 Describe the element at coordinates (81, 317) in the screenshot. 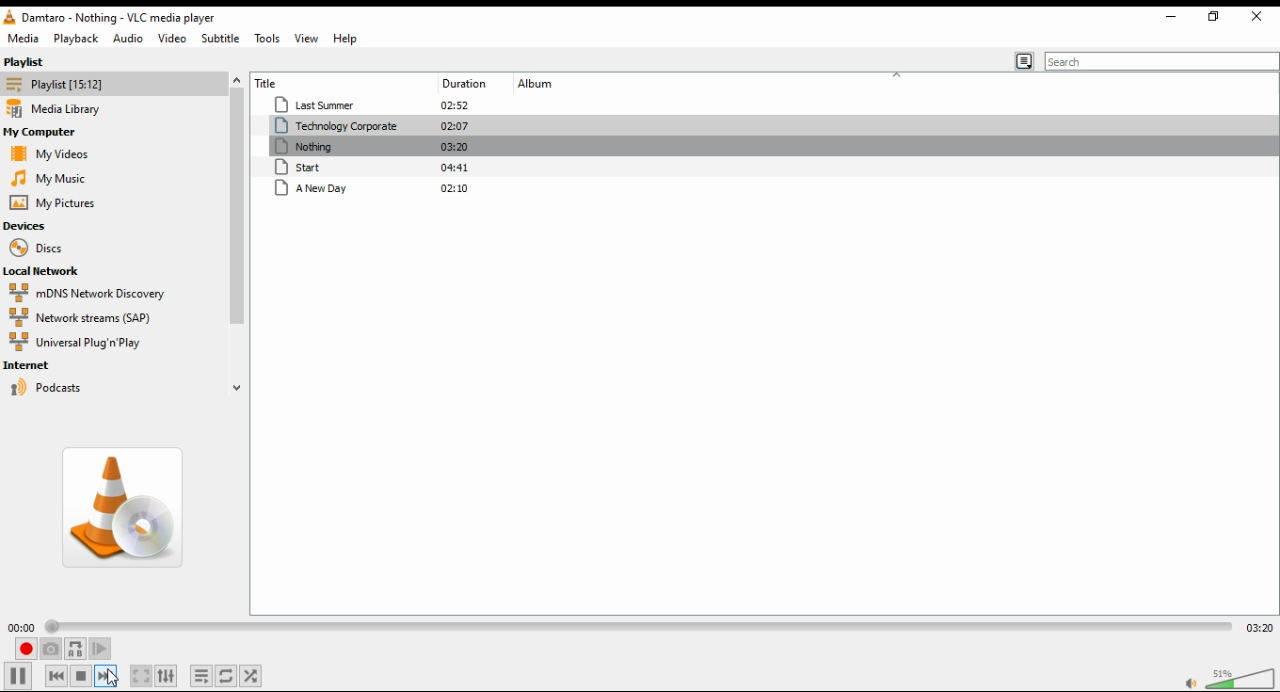

I see `network streams` at that location.